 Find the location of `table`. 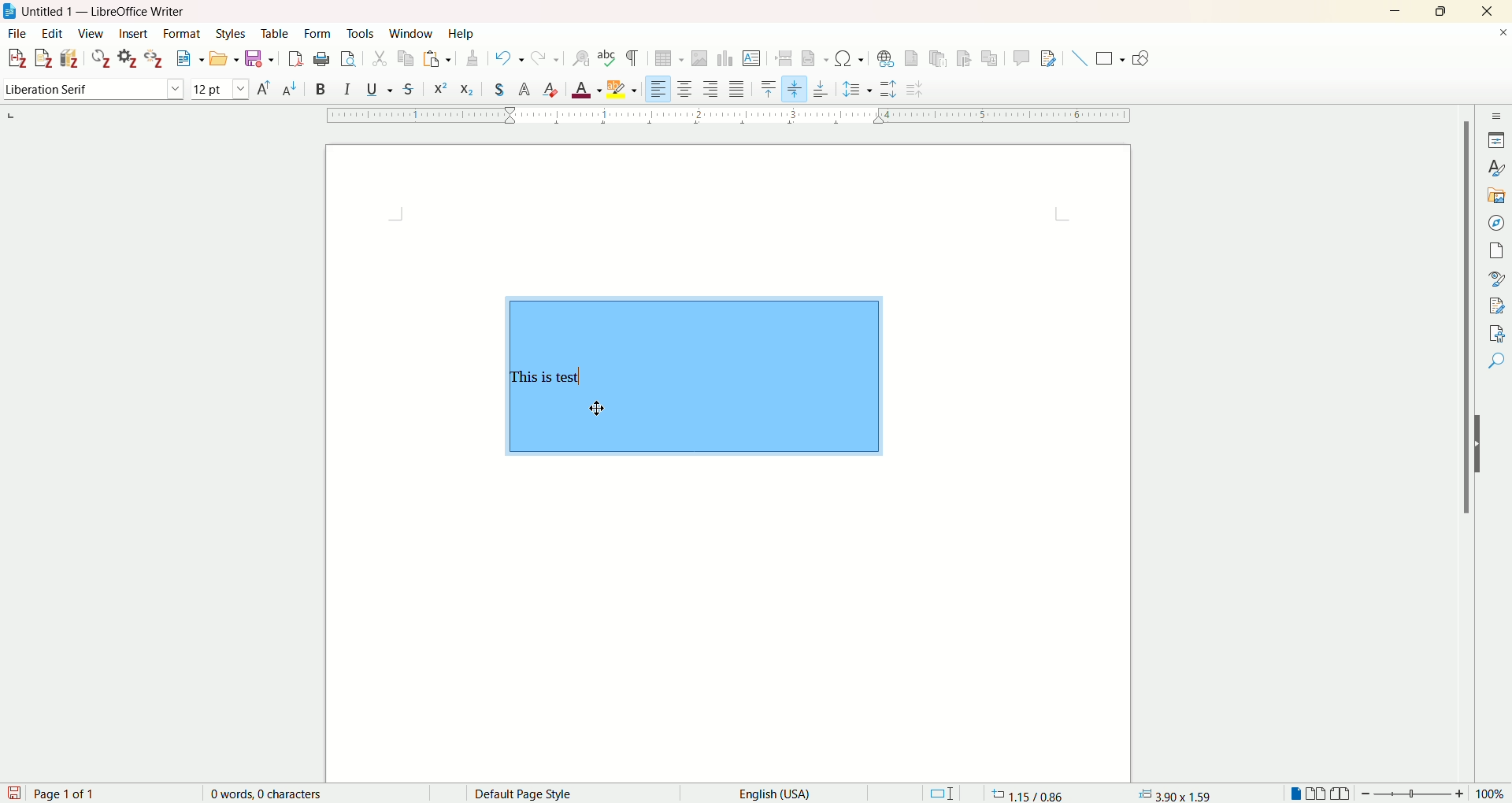

table is located at coordinates (275, 33).